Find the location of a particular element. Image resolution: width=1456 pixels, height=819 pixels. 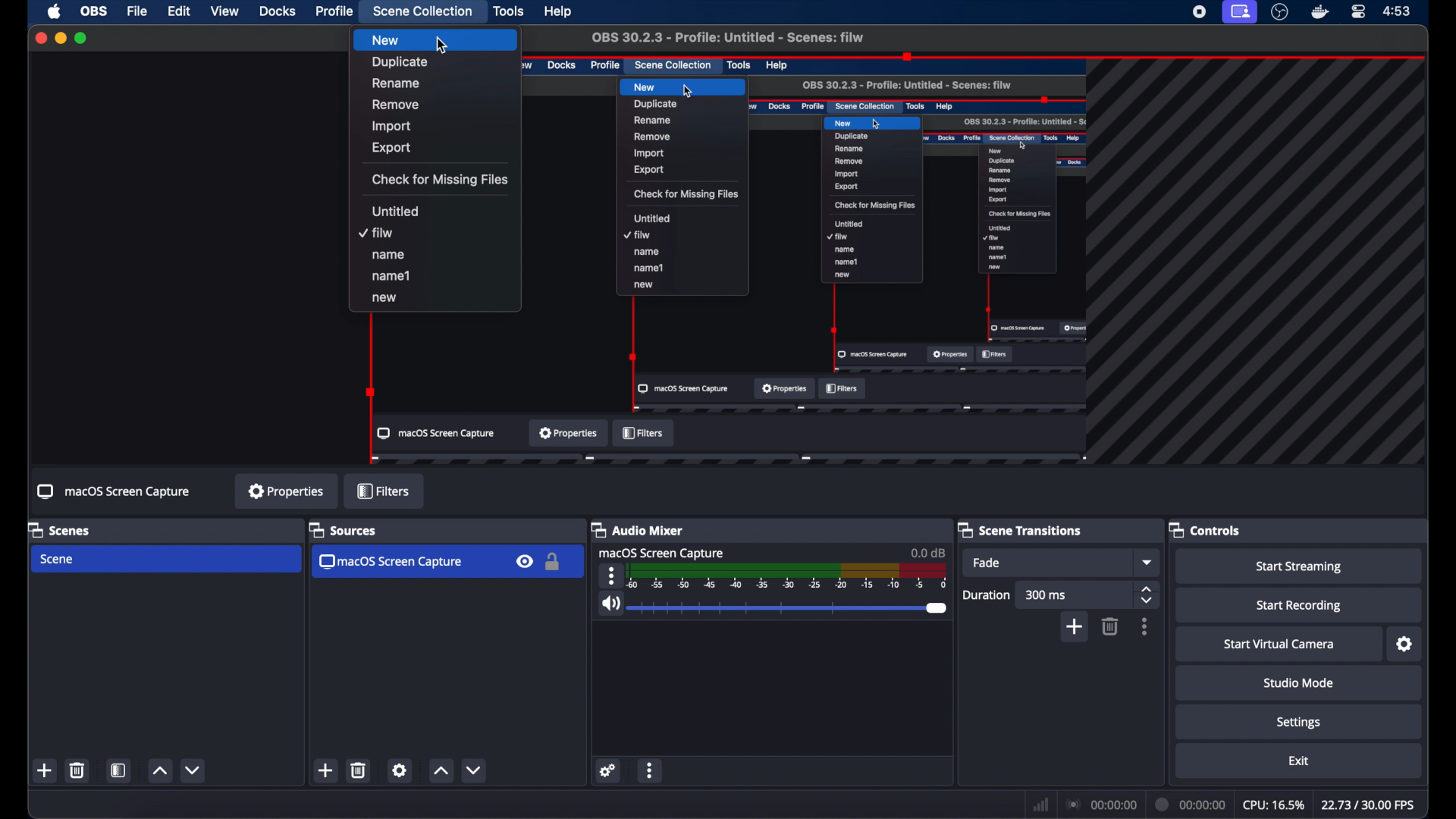

new is located at coordinates (384, 299).